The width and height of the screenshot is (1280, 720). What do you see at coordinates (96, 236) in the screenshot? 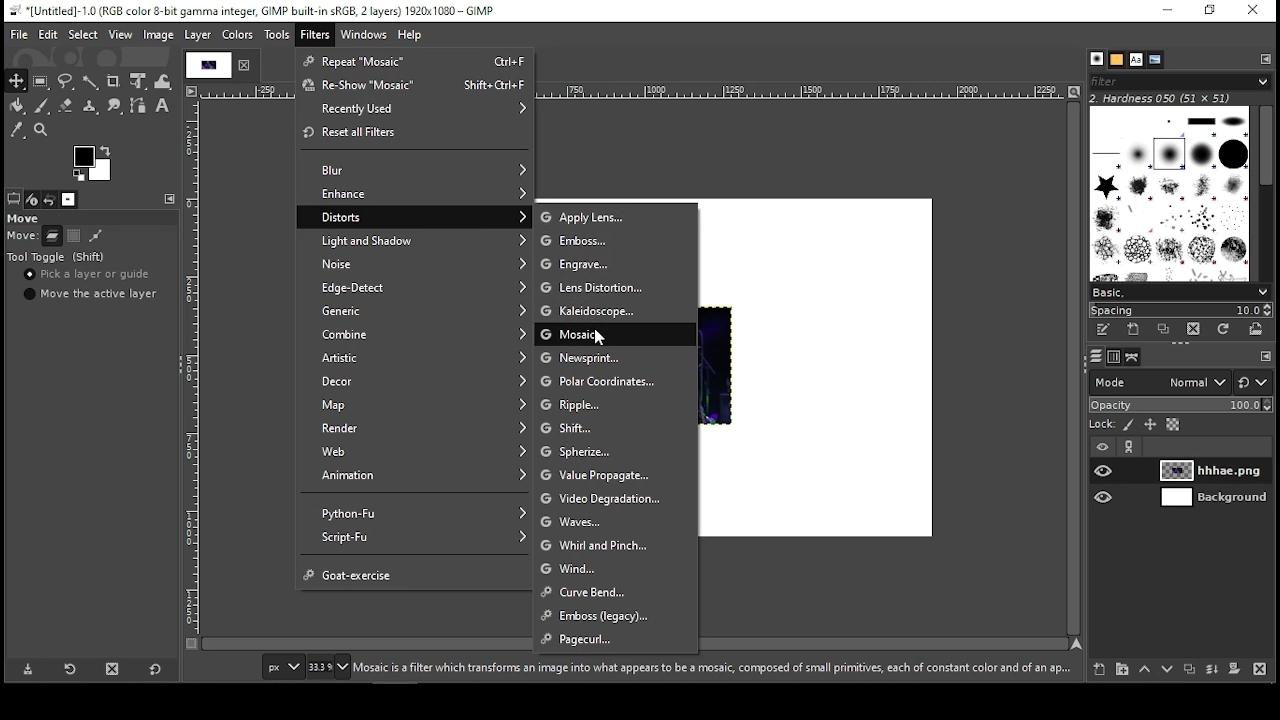
I see `move paths` at bounding box center [96, 236].